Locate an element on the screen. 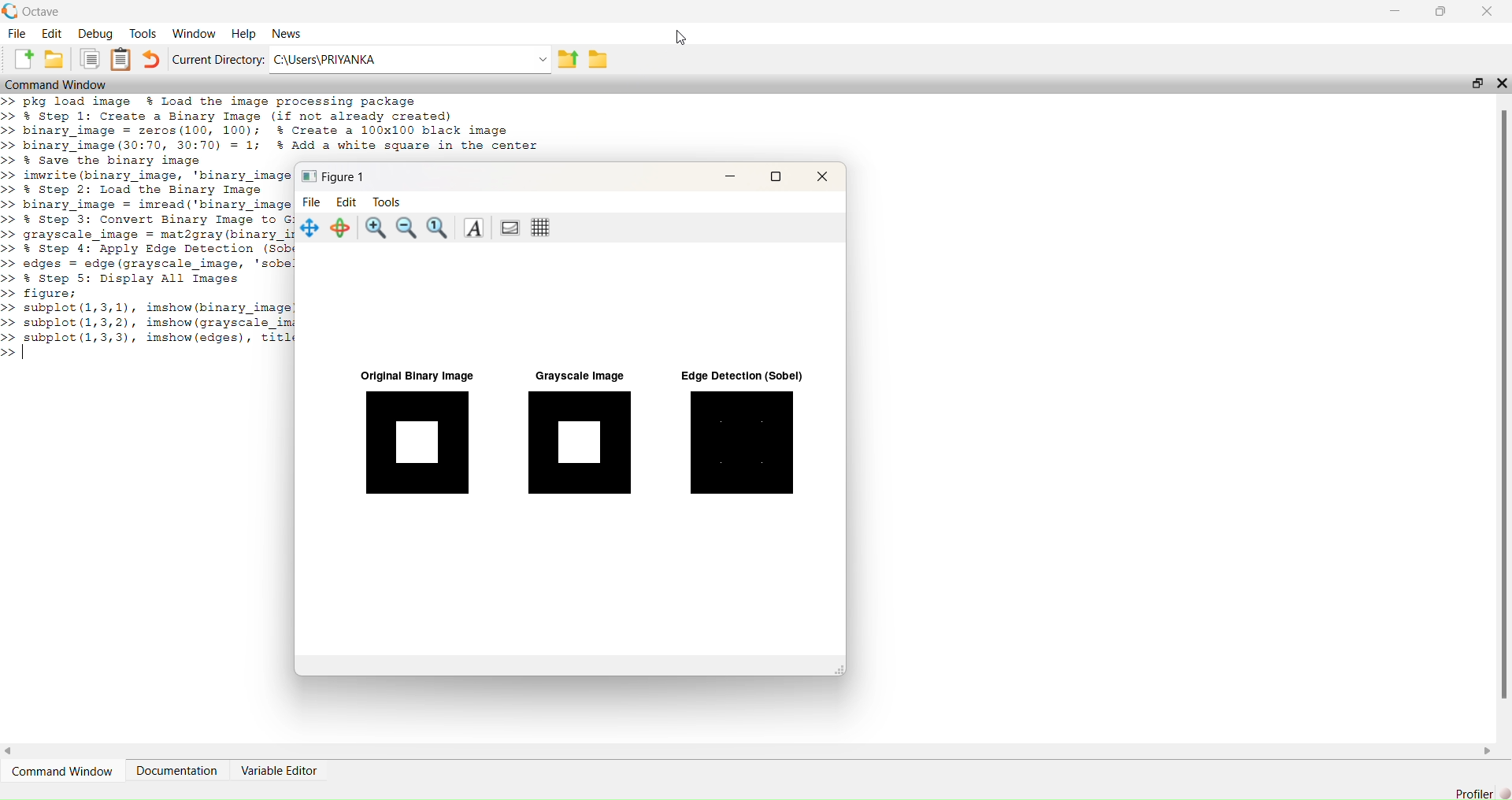 The height and width of the screenshot is (800, 1512). Insert text is located at coordinates (475, 228).